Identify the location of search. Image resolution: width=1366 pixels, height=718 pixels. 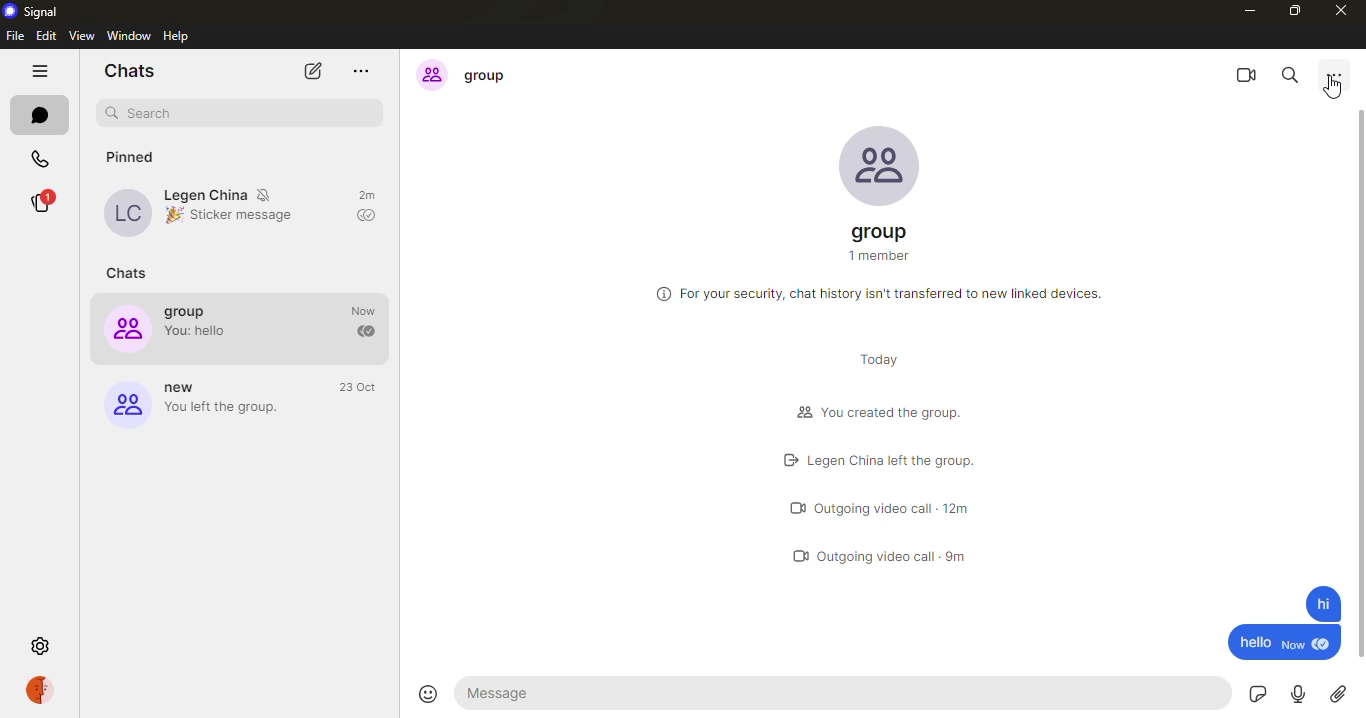
(1292, 77).